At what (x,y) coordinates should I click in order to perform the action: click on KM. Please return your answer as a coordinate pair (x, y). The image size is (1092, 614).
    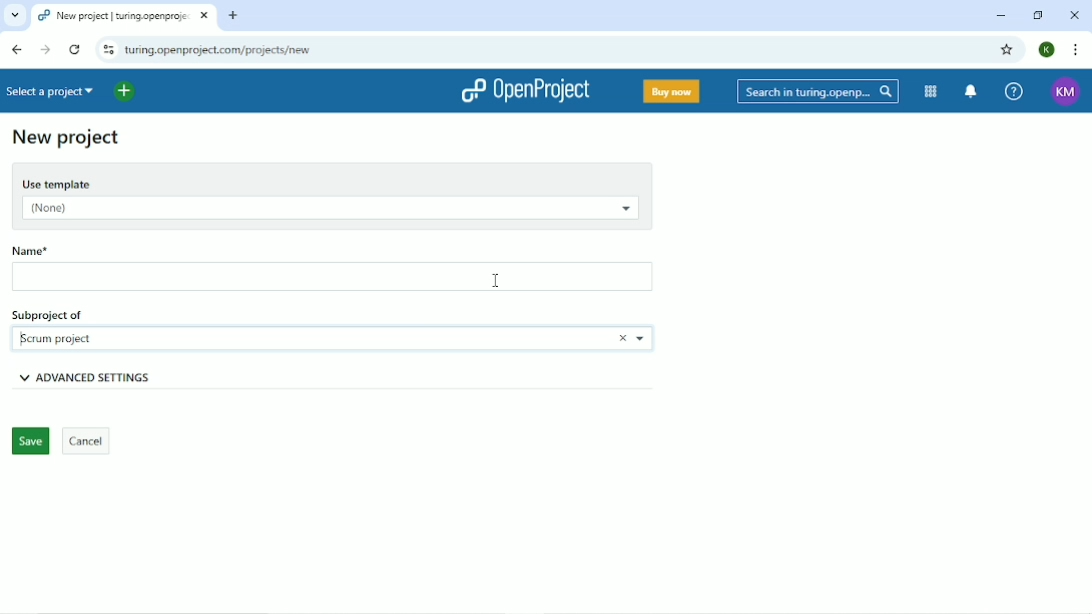
    Looking at the image, I should click on (1066, 92).